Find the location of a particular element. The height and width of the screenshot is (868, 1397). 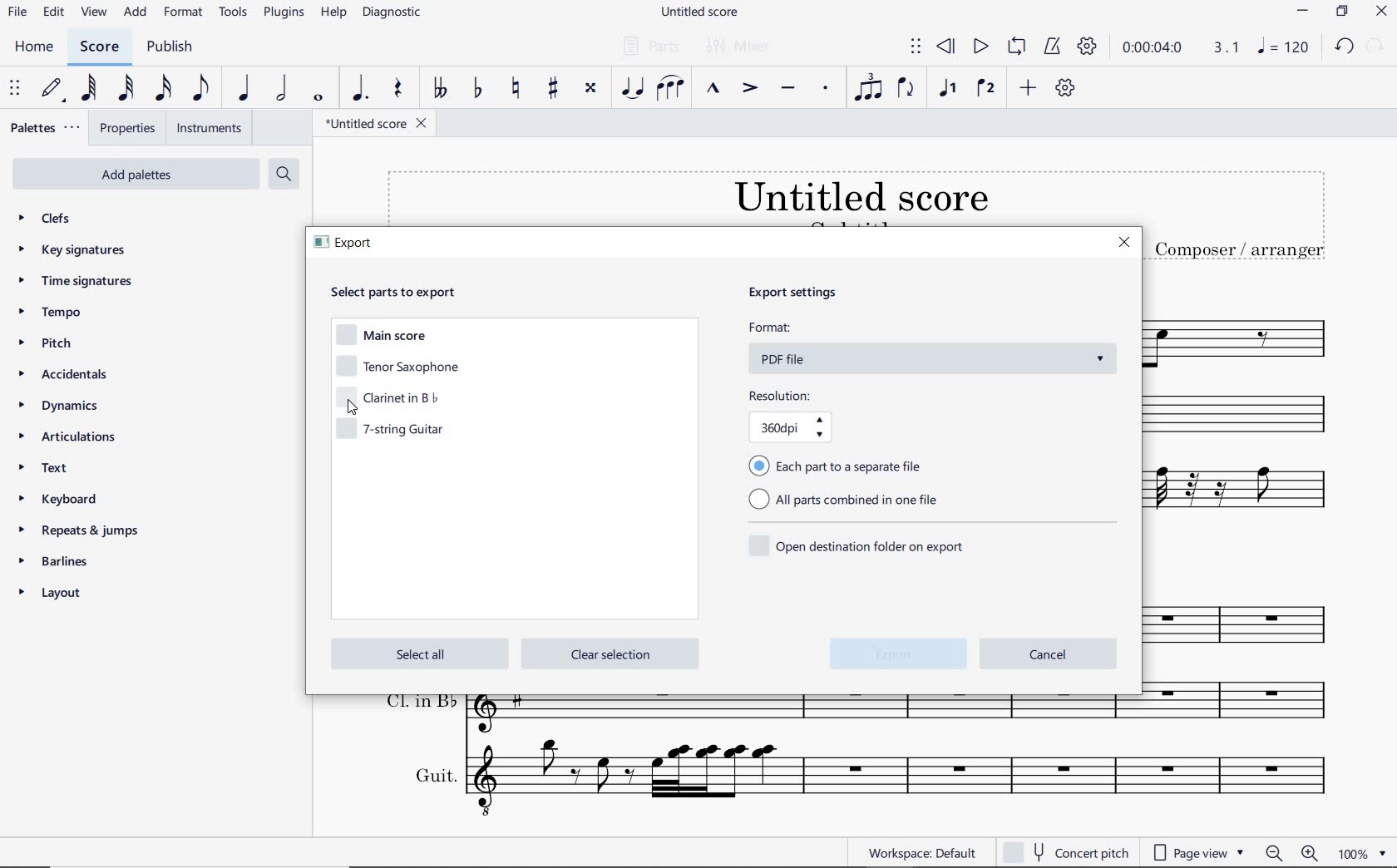

all parts combined in one file is located at coordinates (849, 501).